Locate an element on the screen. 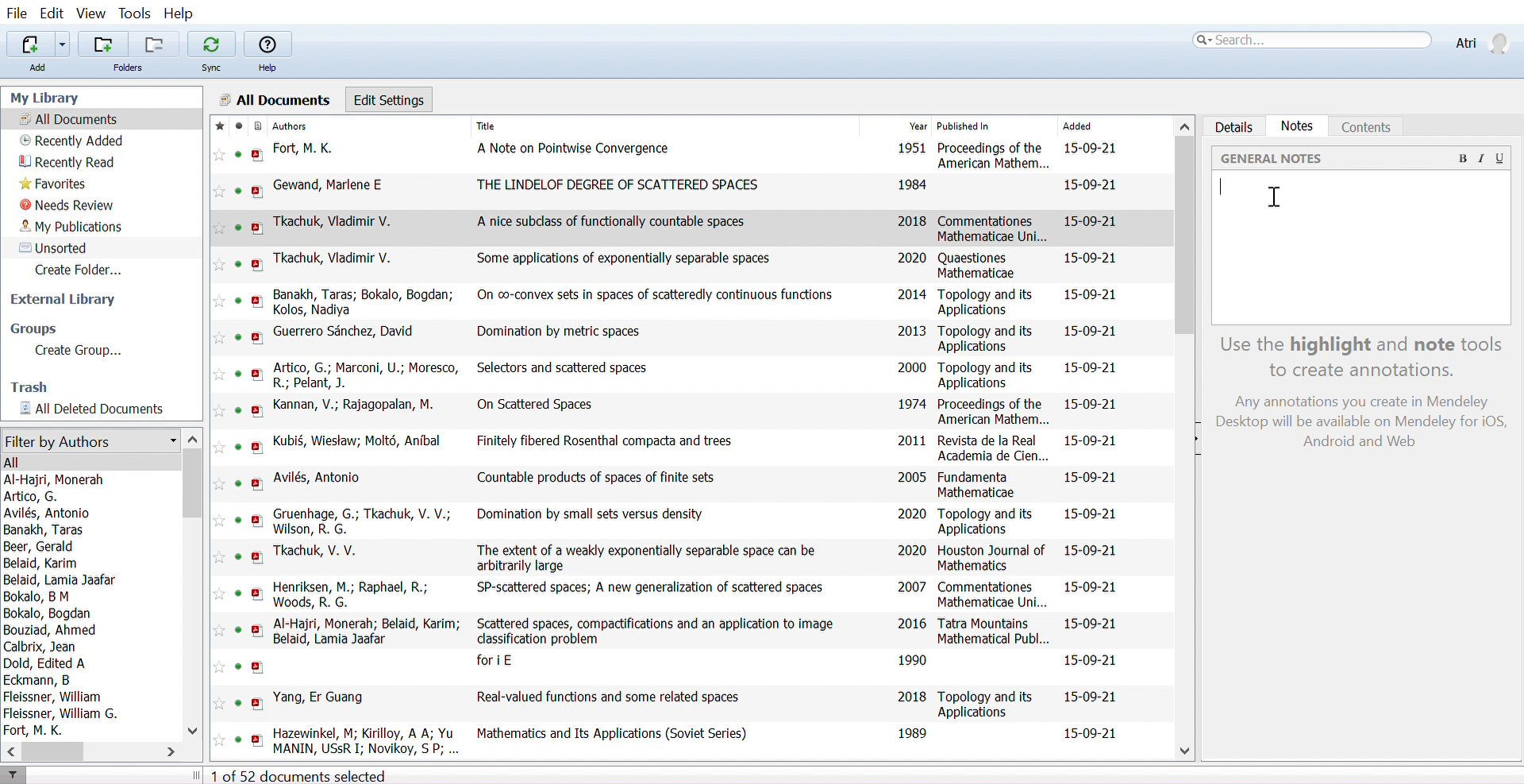  Eckmann, B is located at coordinates (38, 680).